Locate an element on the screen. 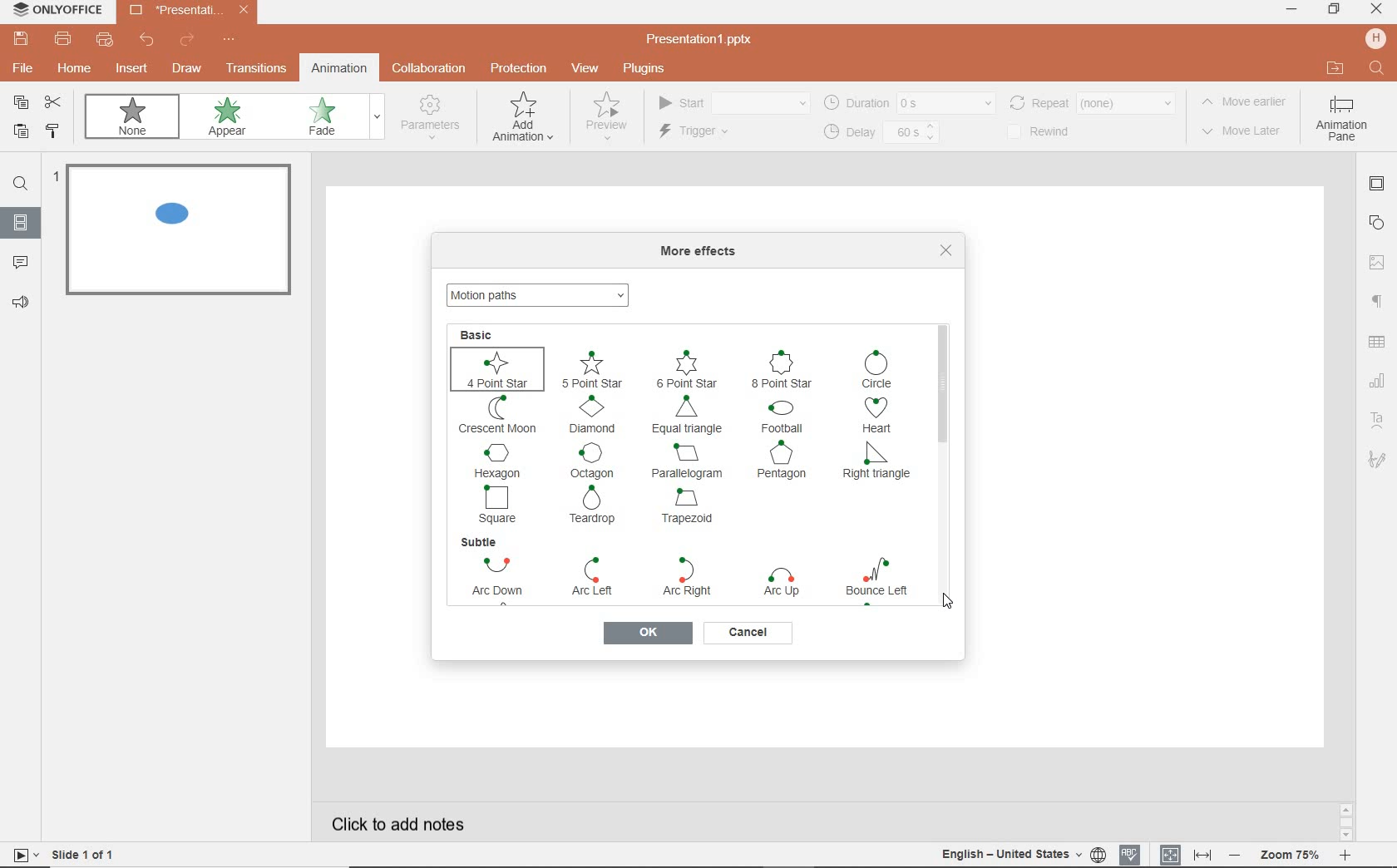 Image resolution: width=1397 pixels, height=868 pixels. click to add notes is located at coordinates (402, 819).